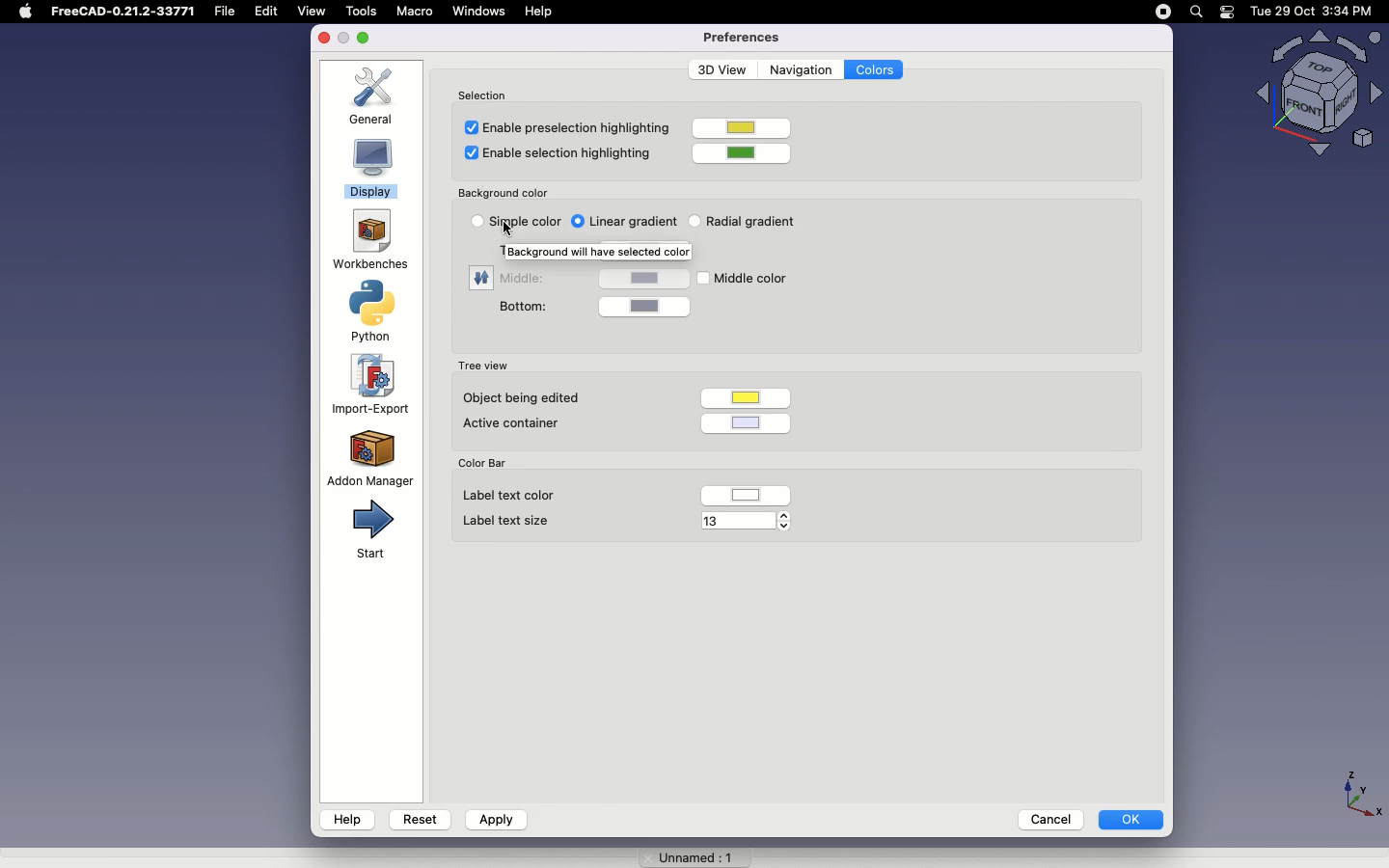  I want to click on minimise, so click(343, 40).